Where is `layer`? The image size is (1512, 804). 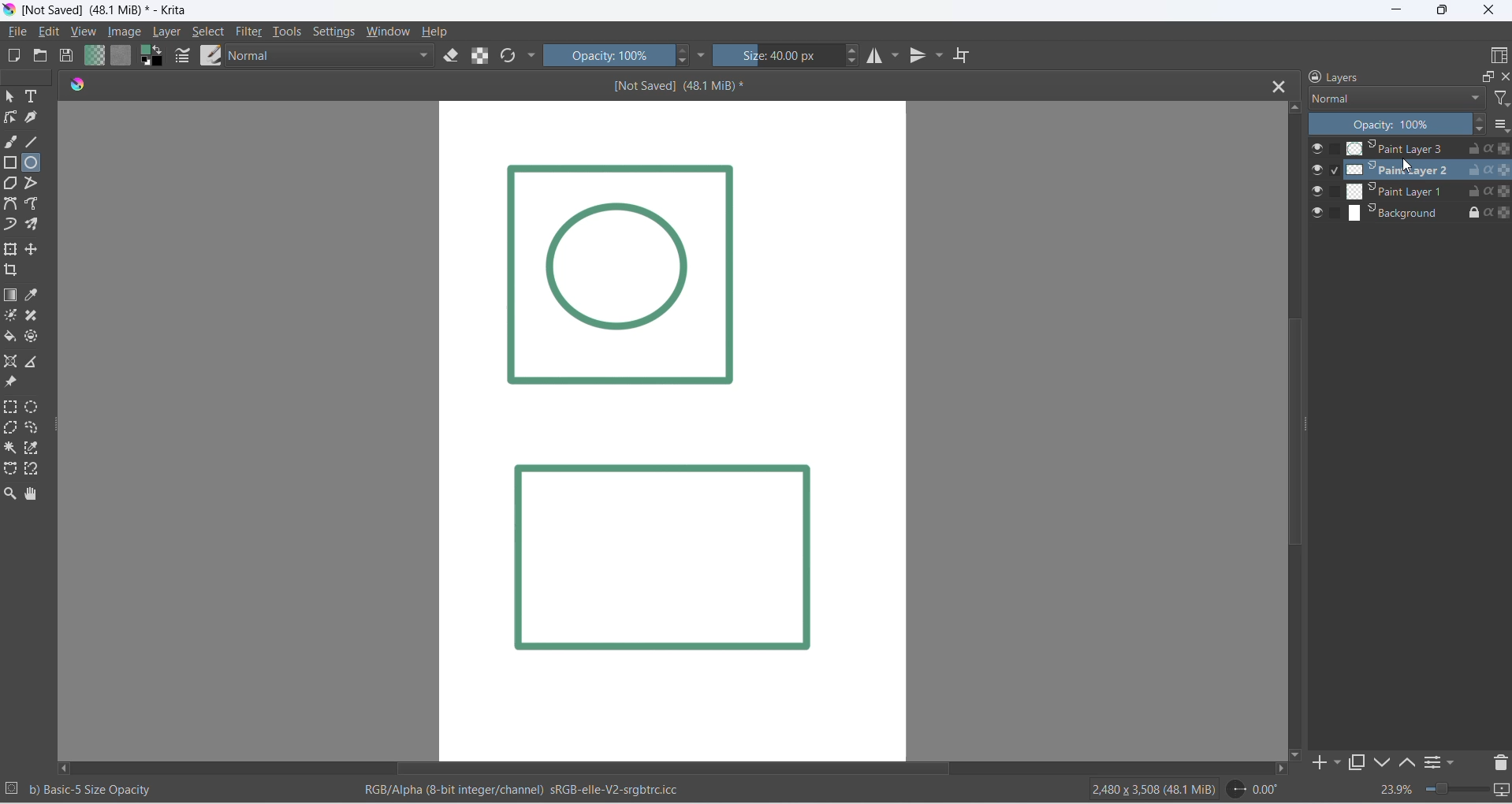
layer is located at coordinates (173, 33).